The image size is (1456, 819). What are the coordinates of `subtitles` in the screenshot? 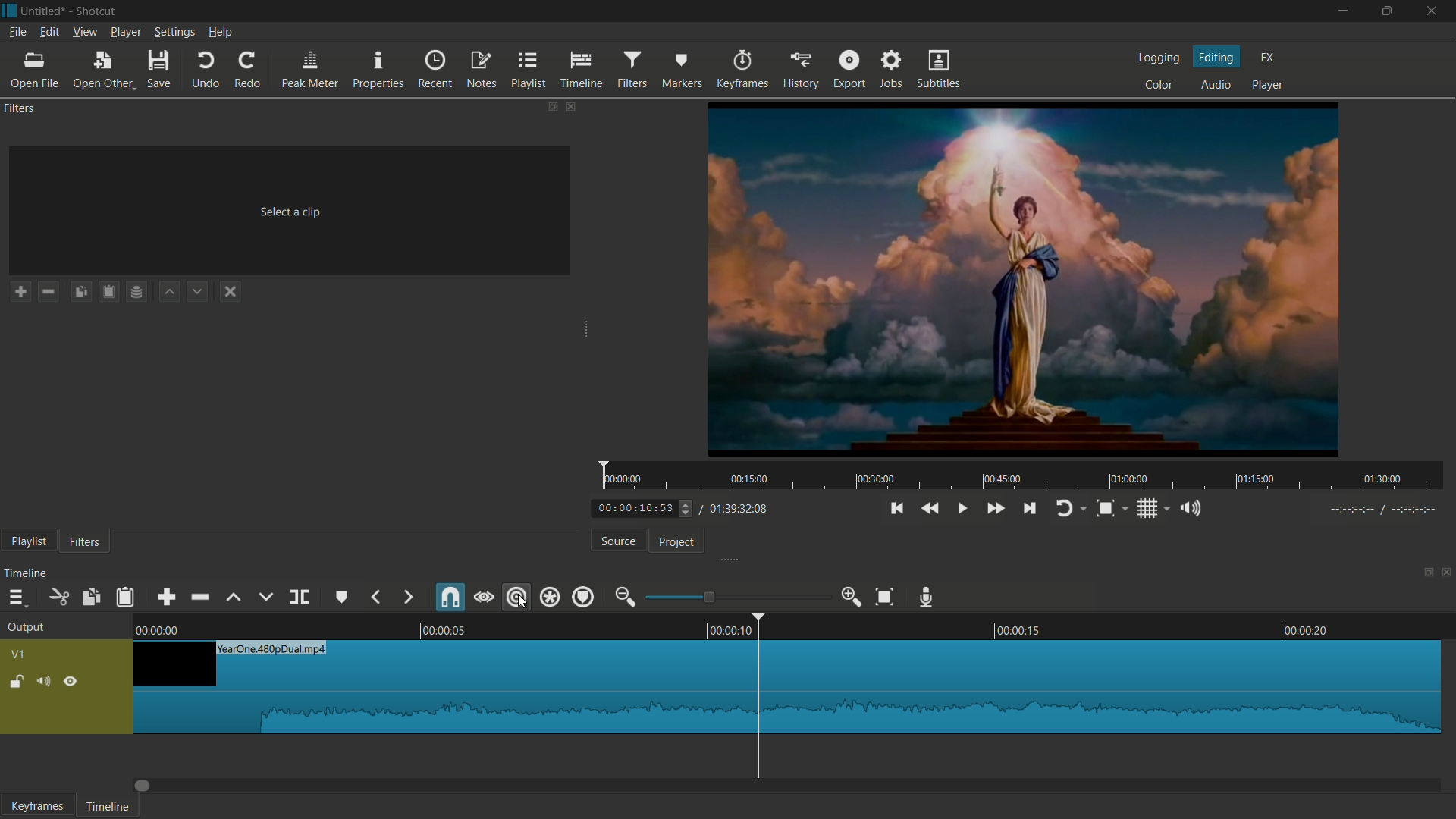 It's located at (937, 68).